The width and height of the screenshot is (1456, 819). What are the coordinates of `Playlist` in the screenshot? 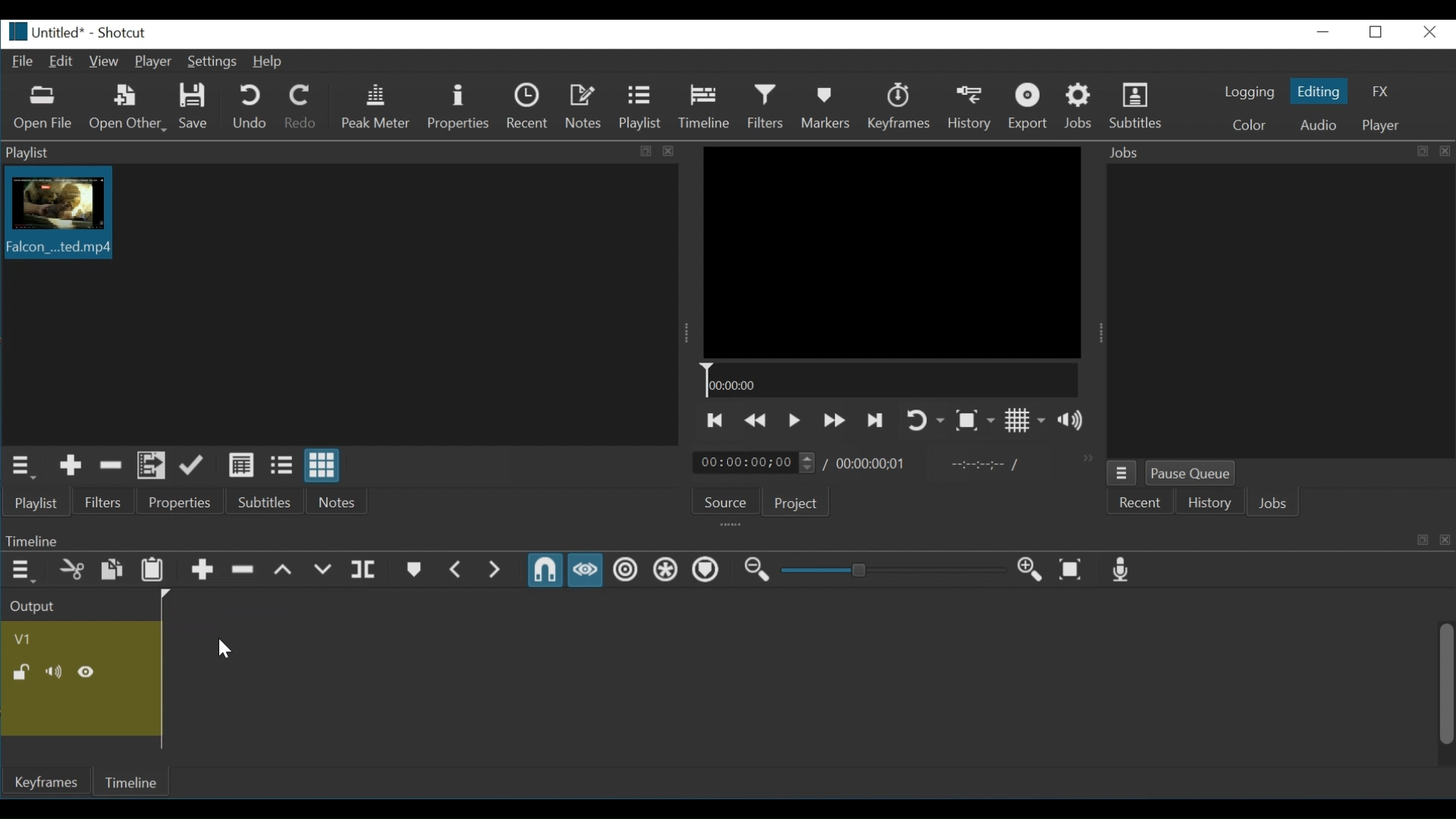 It's located at (639, 106).